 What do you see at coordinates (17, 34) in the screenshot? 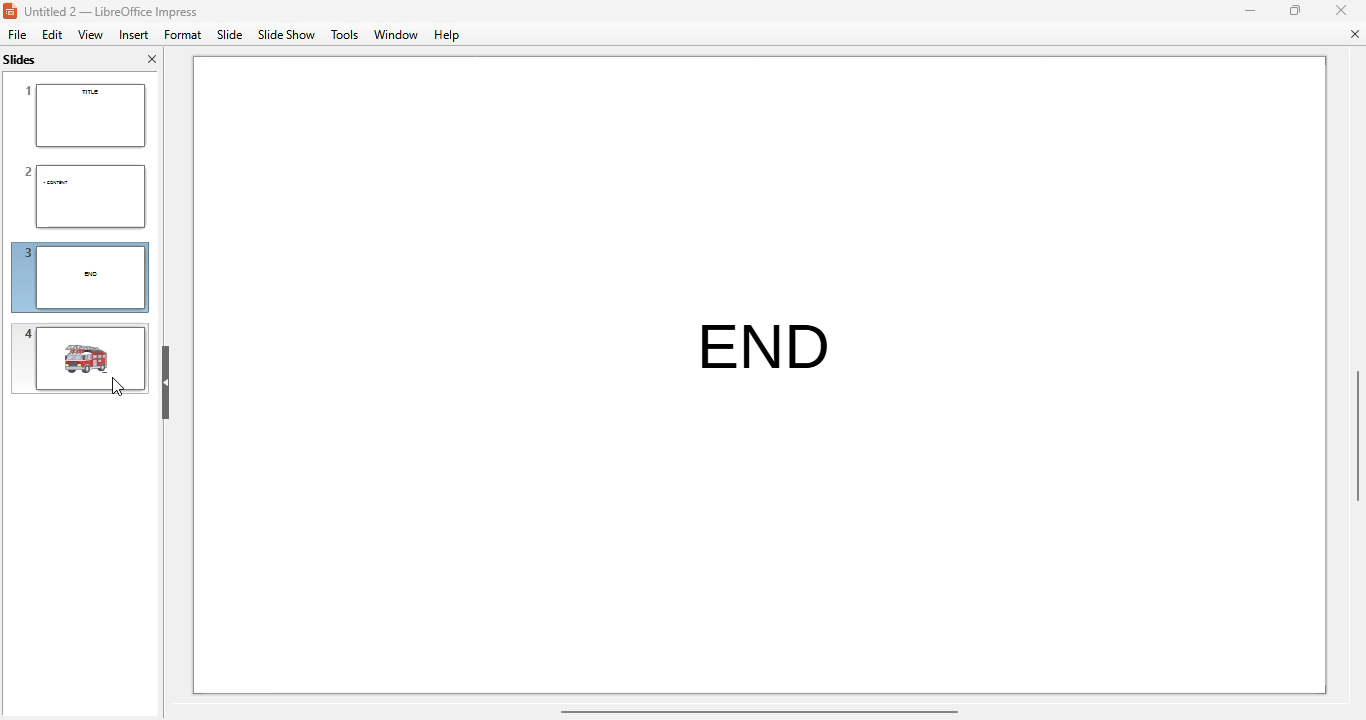
I see `file` at bounding box center [17, 34].